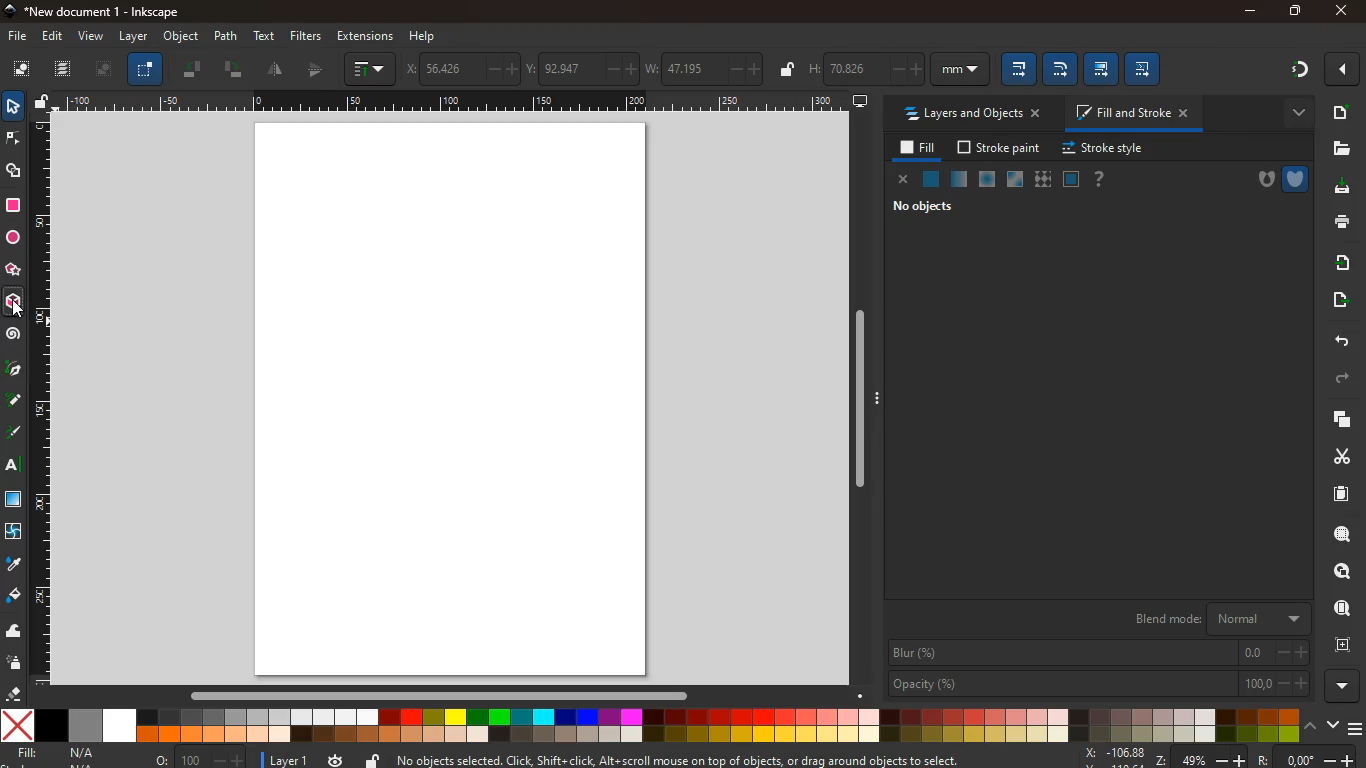 The image size is (1366, 768). Describe the element at coordinates (649, 726) in the screenshot. I see `color` at that location.